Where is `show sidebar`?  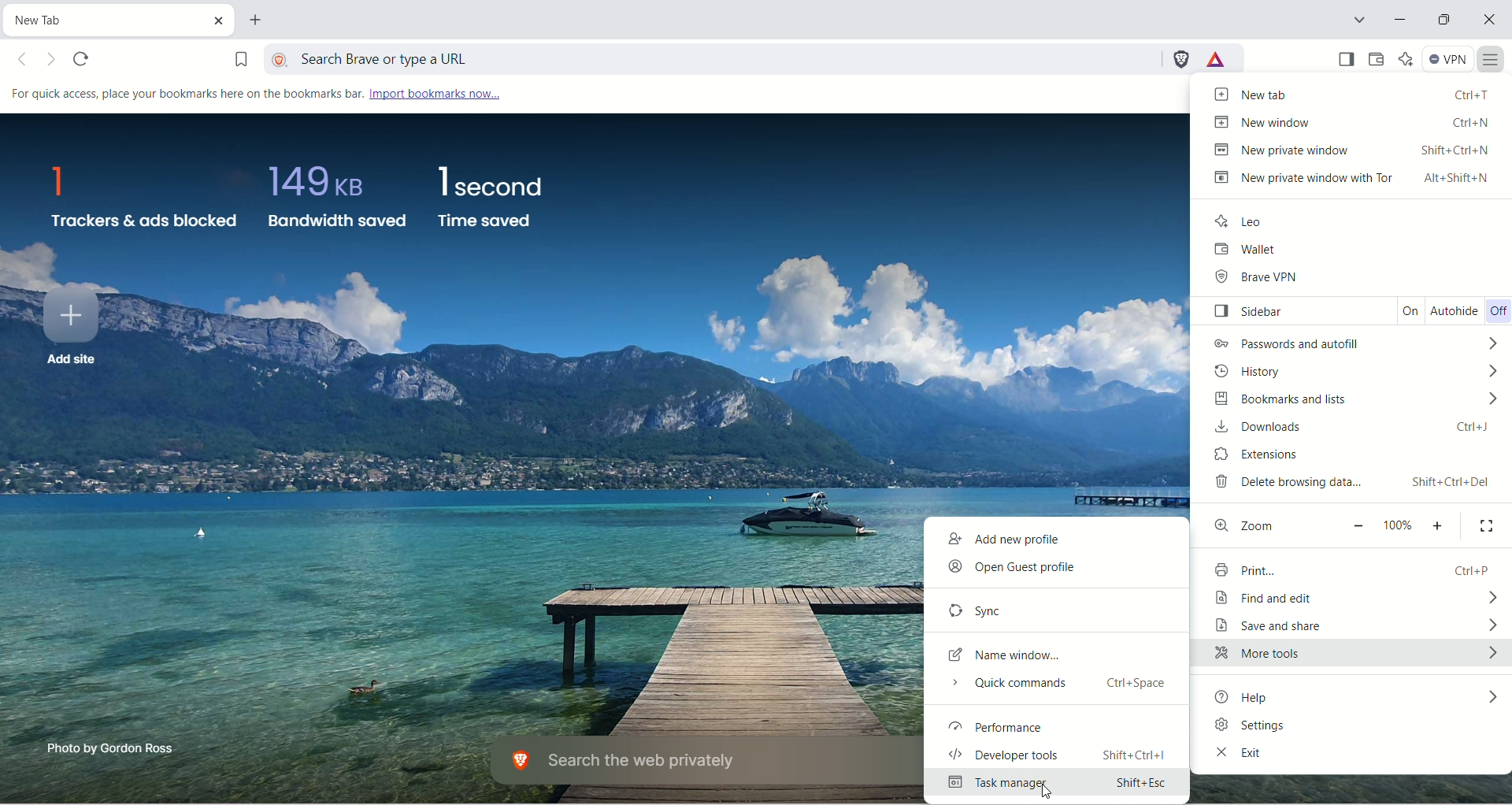
show sidebar is located at coordinates (1347, 58).